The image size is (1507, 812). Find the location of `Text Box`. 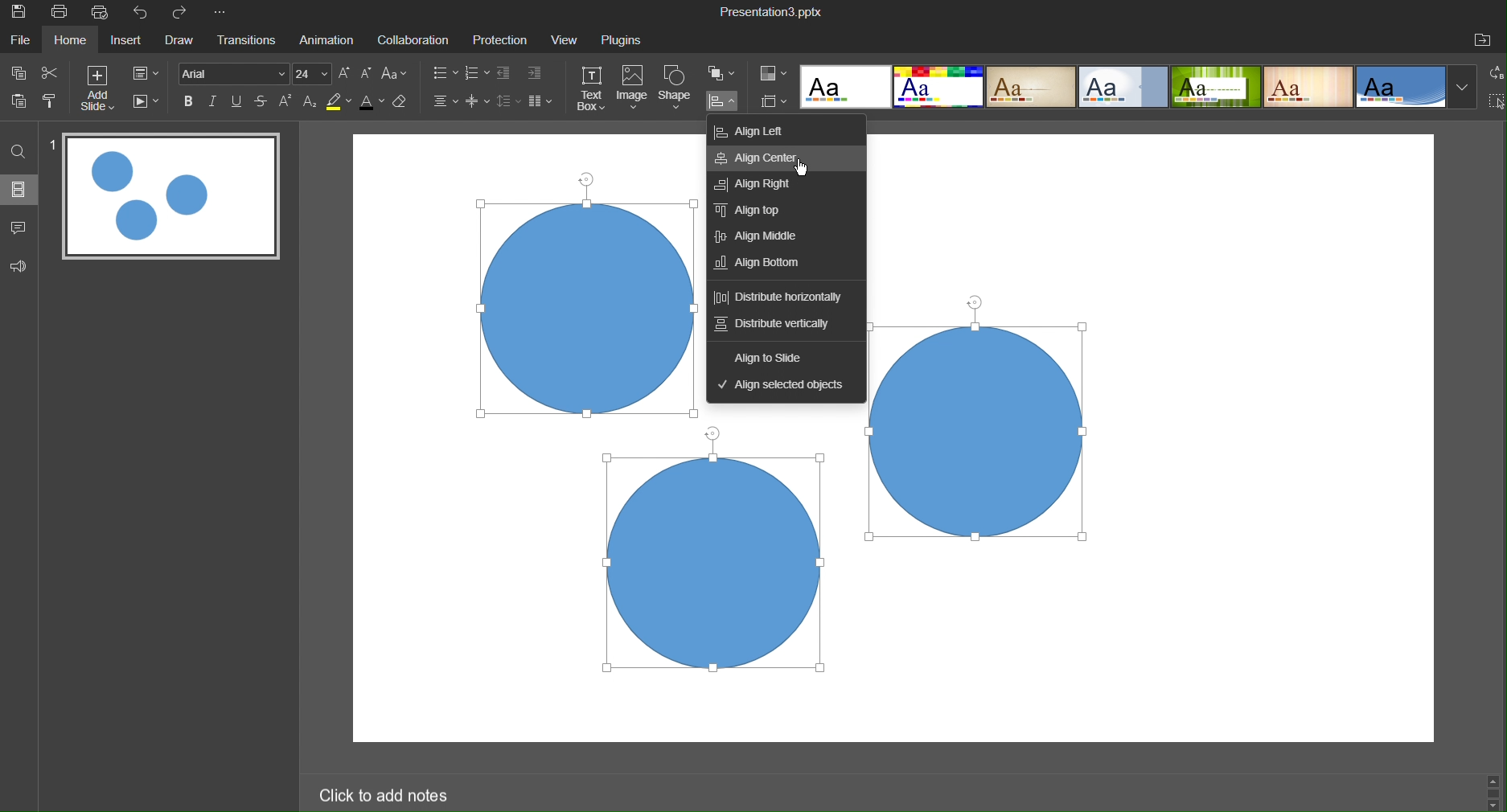

Text Box is located at coordinates (593, 89).